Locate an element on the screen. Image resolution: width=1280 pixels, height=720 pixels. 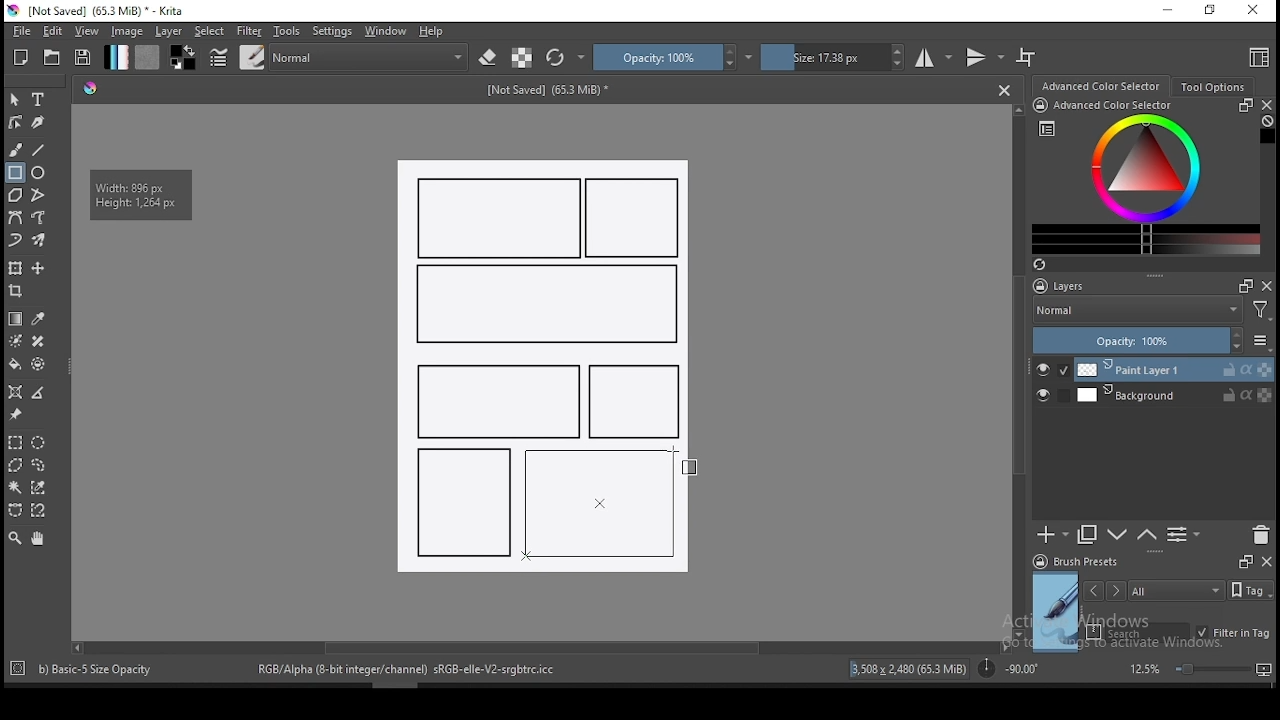
colors is located at coordinates (183, 57).